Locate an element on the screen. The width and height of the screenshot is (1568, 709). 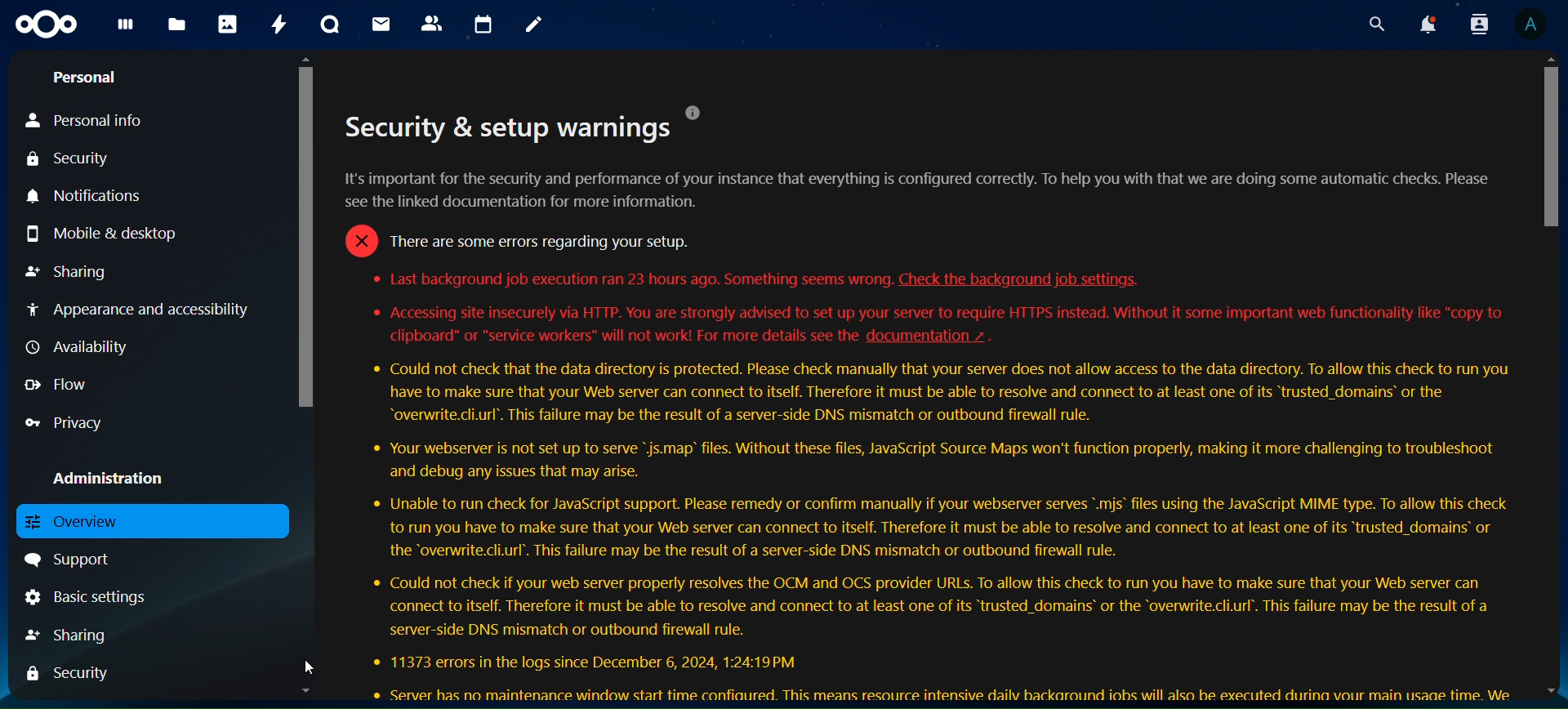
contacts is located at coordinates (431, 25).